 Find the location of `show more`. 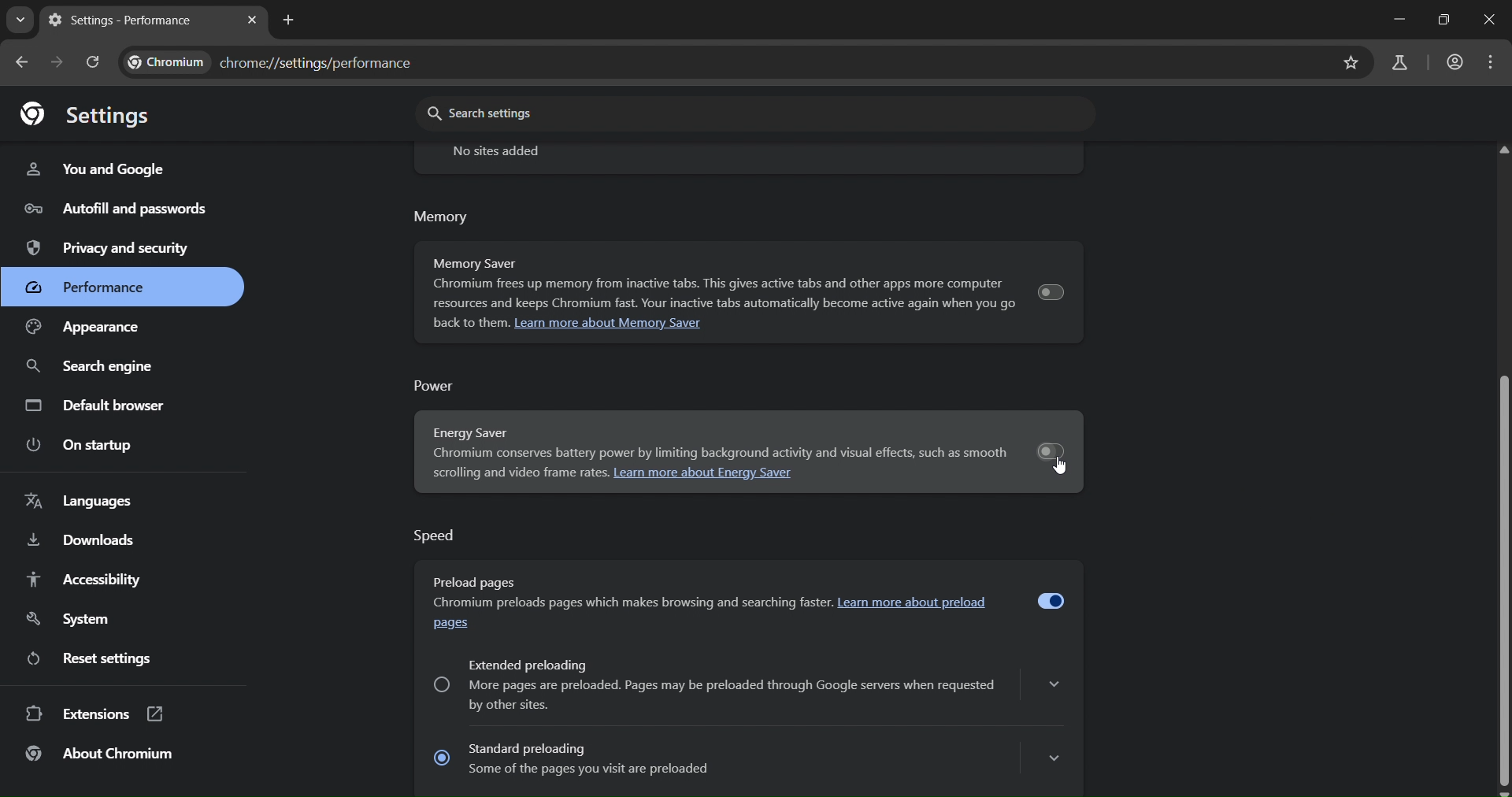

show more is located at coordinates (1057, 761).